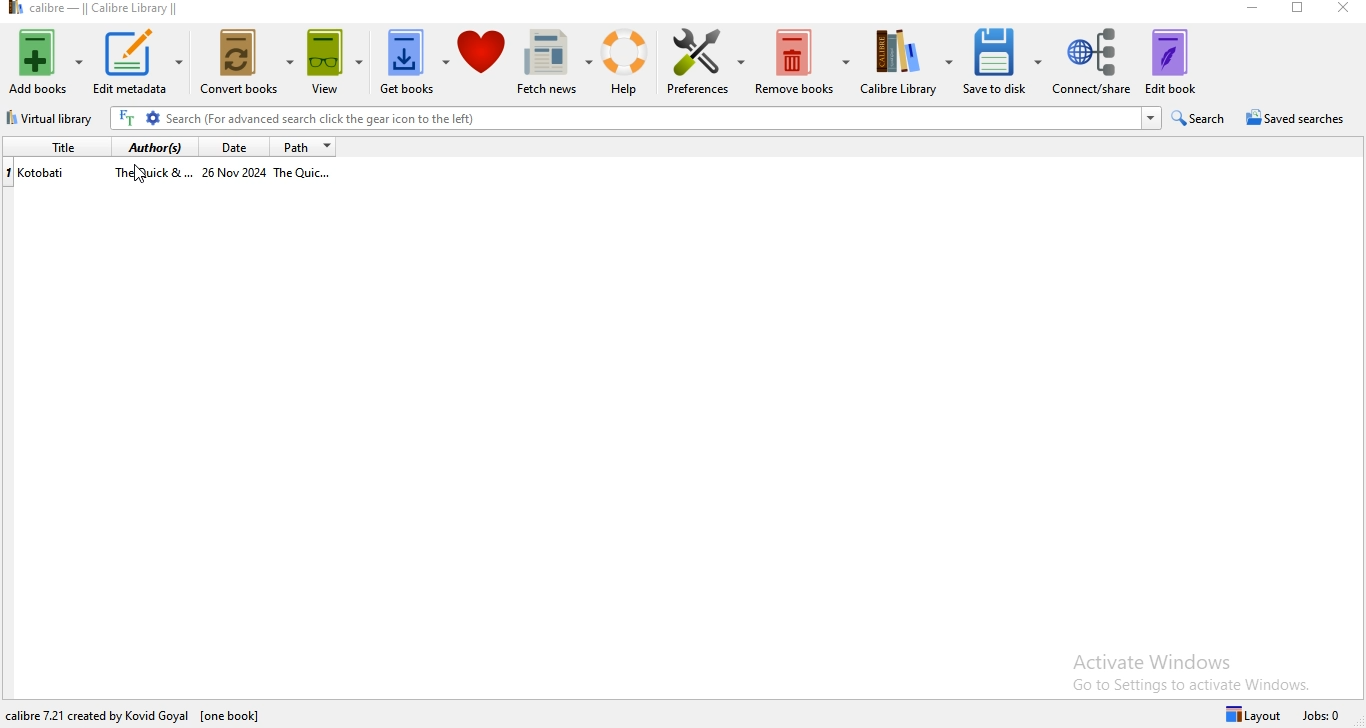  I want to click on view, so click(335, 66).